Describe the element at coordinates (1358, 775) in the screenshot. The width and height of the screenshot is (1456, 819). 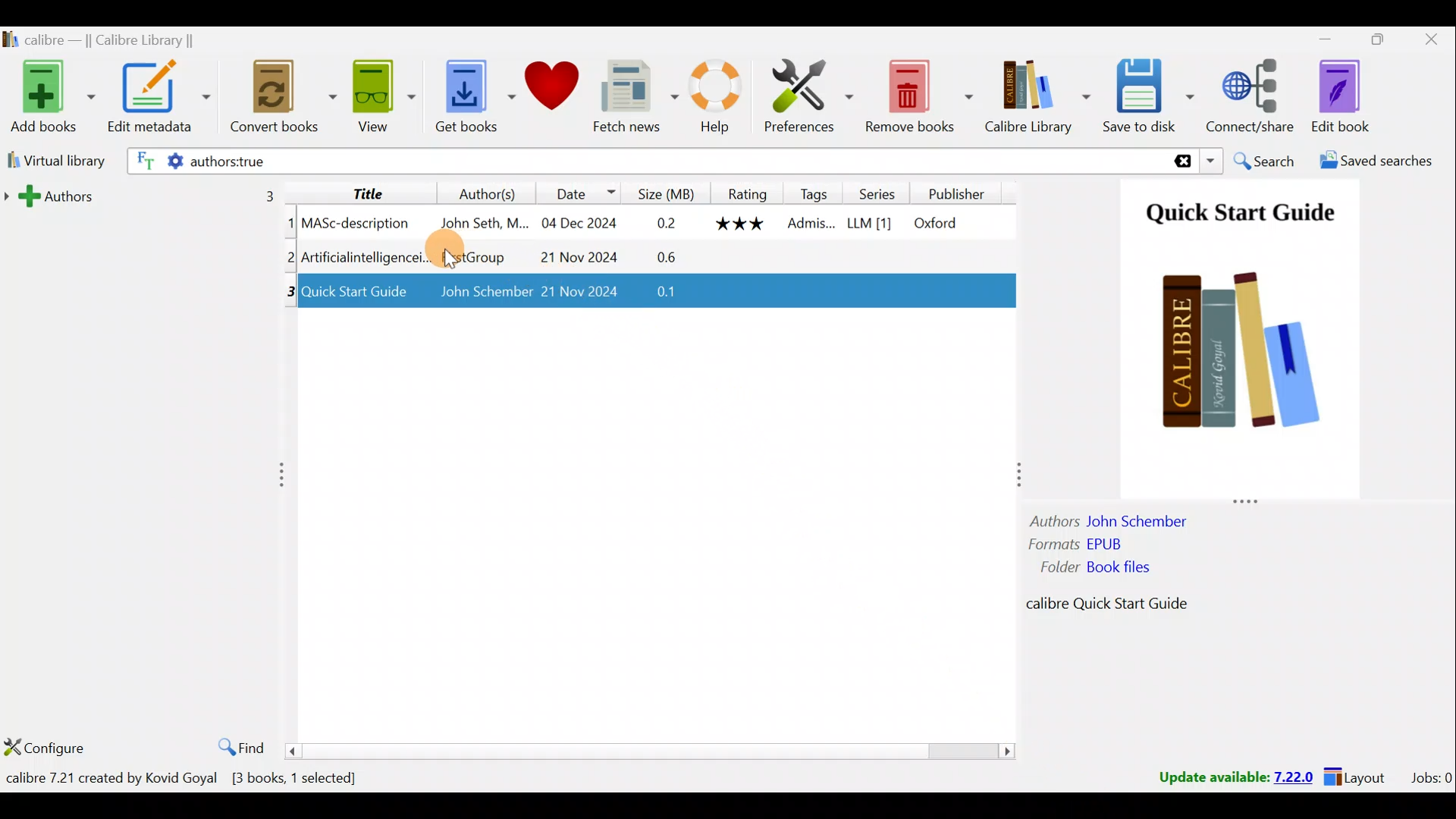
I see `Layout` at that location.